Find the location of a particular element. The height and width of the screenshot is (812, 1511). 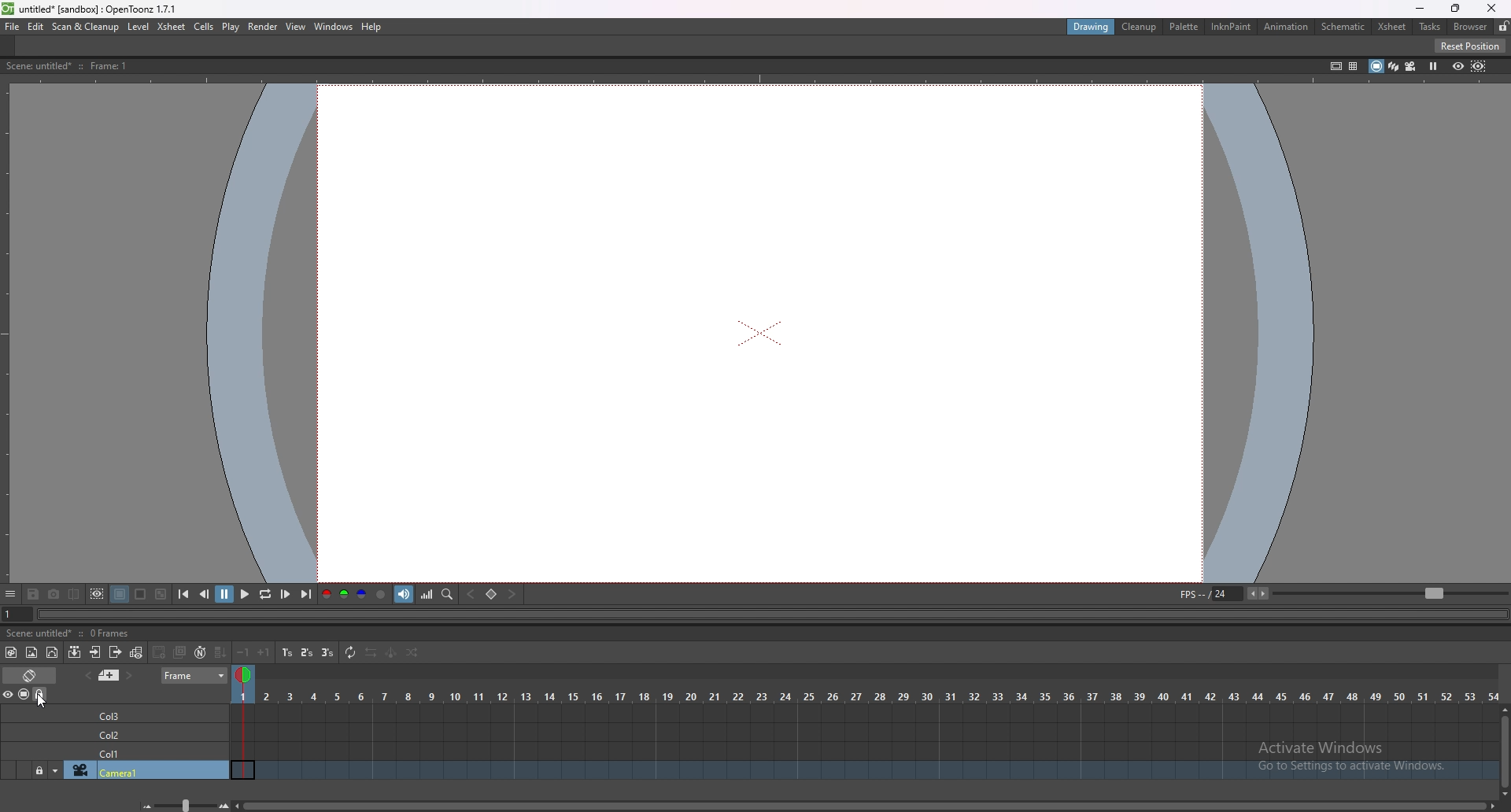

toggle timeline is located at coordinates (30, 674).